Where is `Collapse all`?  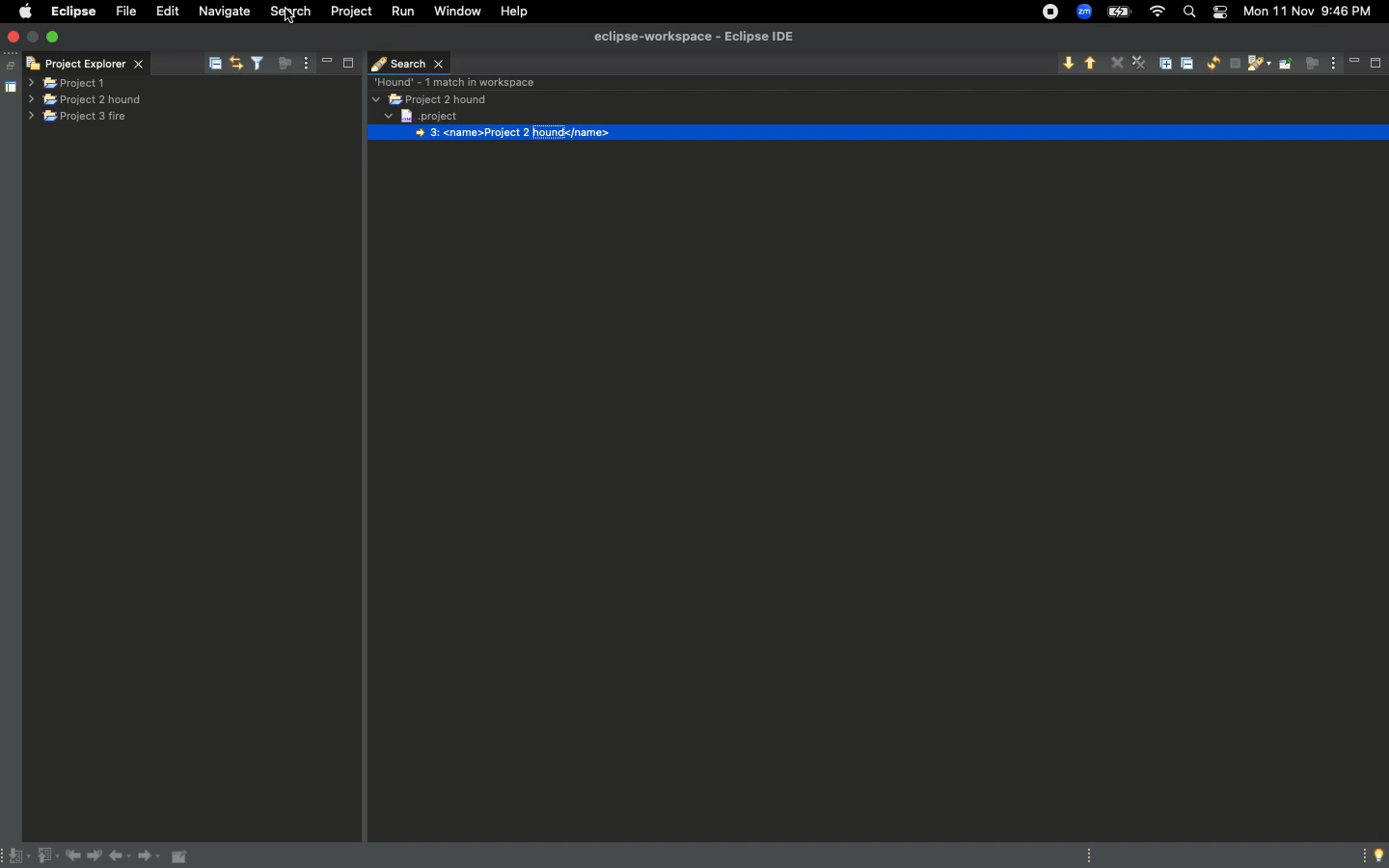
Collapse all is located at coordinates (1190, 66).